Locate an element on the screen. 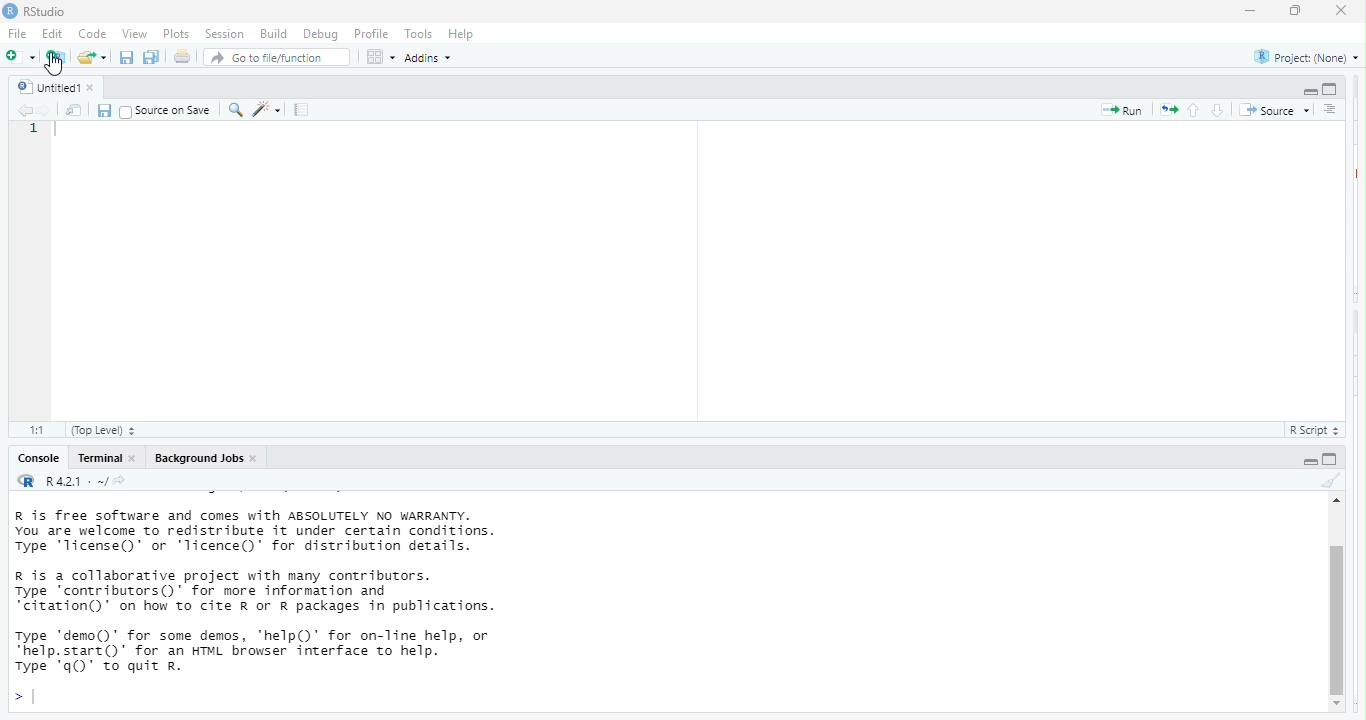 This screenshot has width=1366, height=720. View is located at coordinates (133, 34).